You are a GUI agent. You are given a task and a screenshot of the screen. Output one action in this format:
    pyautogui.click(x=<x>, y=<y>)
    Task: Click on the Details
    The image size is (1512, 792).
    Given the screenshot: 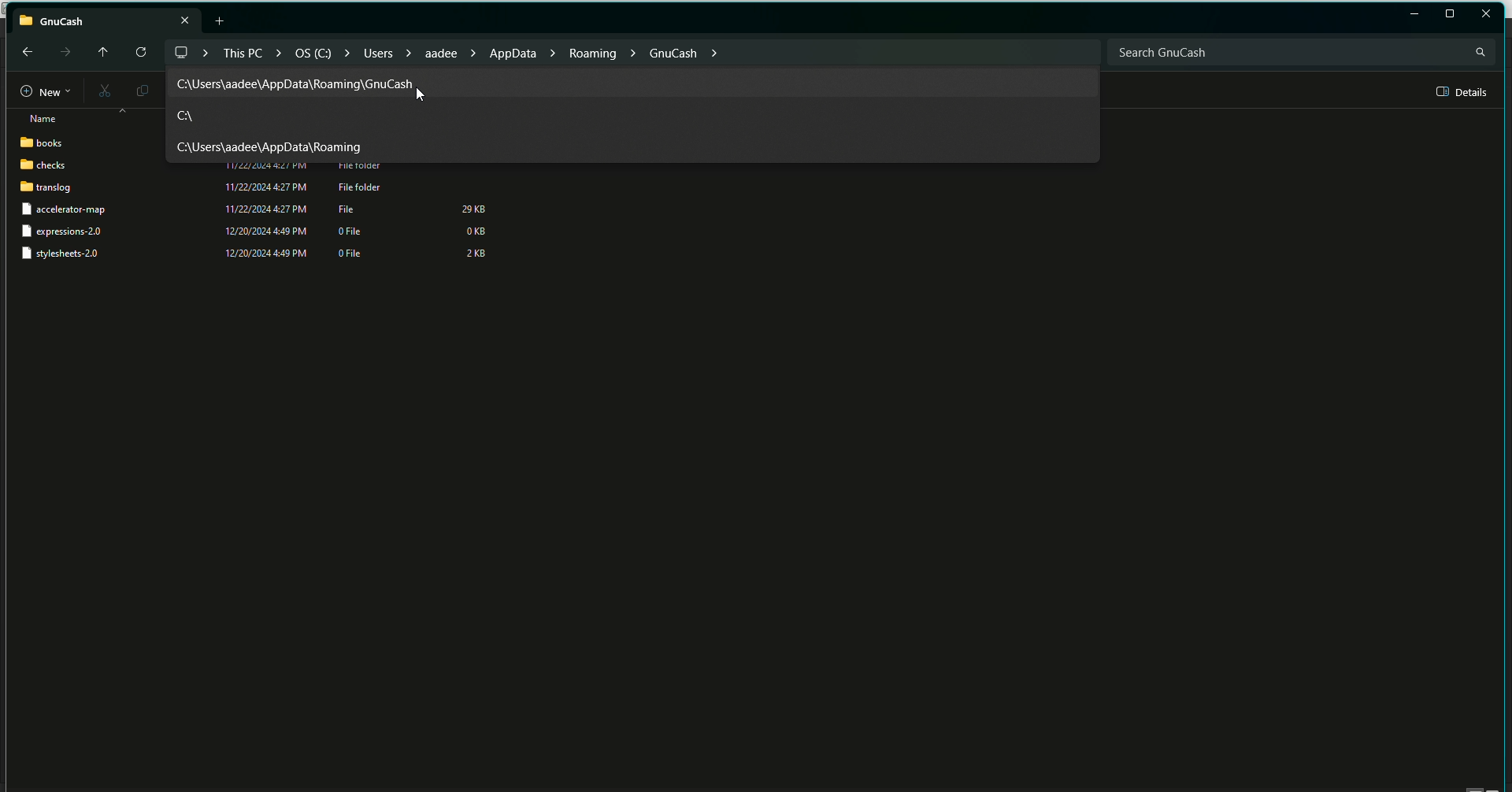 What is the action you would take?
    pyautogui.click(x=1463, y=92)
    